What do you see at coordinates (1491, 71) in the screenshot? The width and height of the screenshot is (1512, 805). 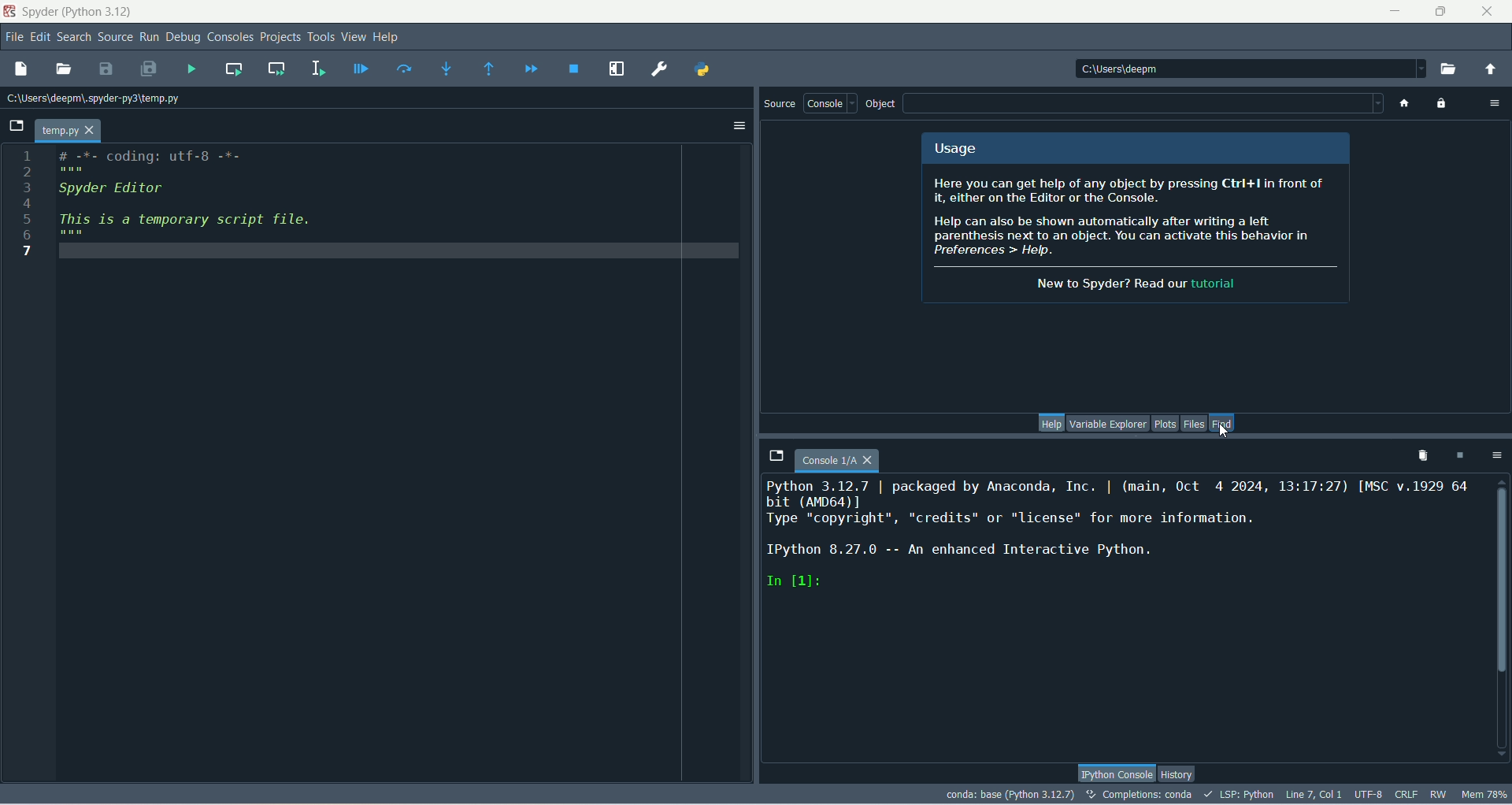 I see `change to parent directory` at bounding box center [1491, 71].